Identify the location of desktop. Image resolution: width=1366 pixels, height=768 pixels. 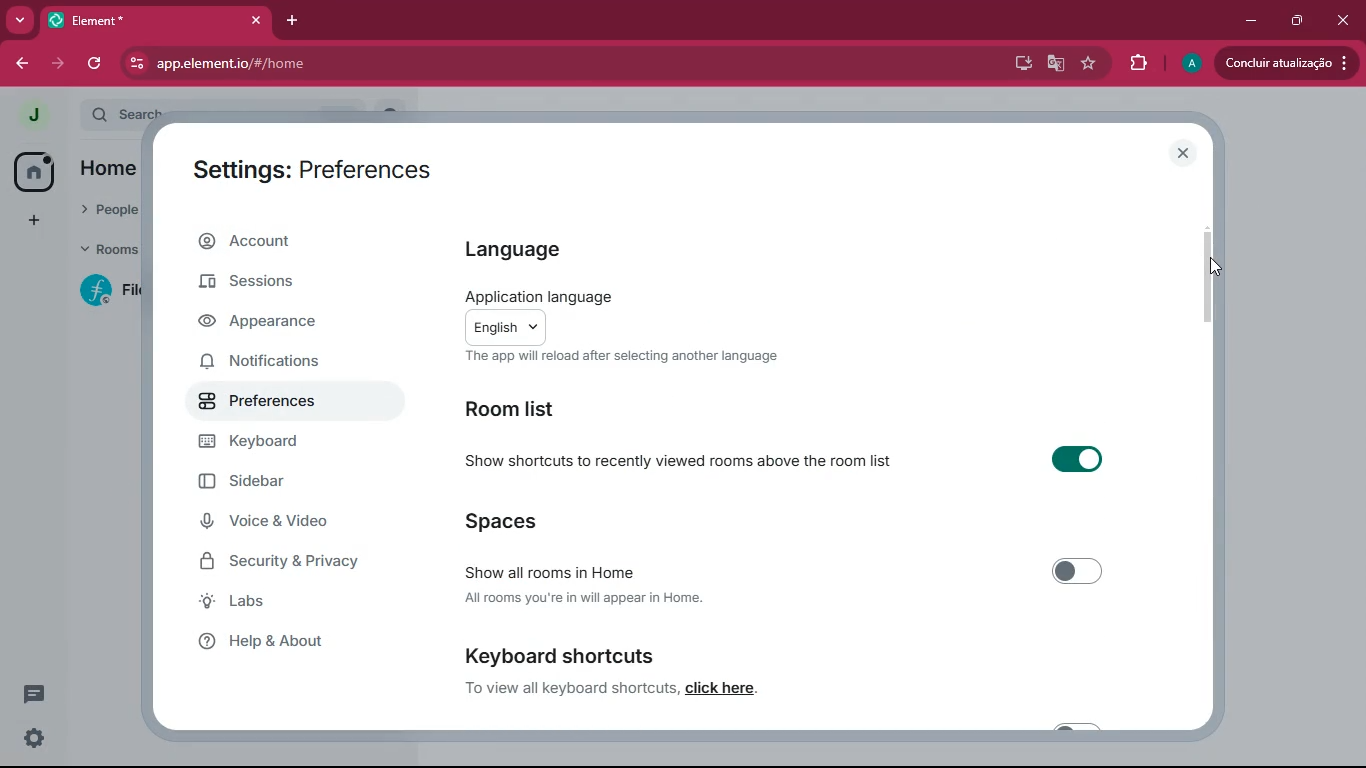
(1019, 63).